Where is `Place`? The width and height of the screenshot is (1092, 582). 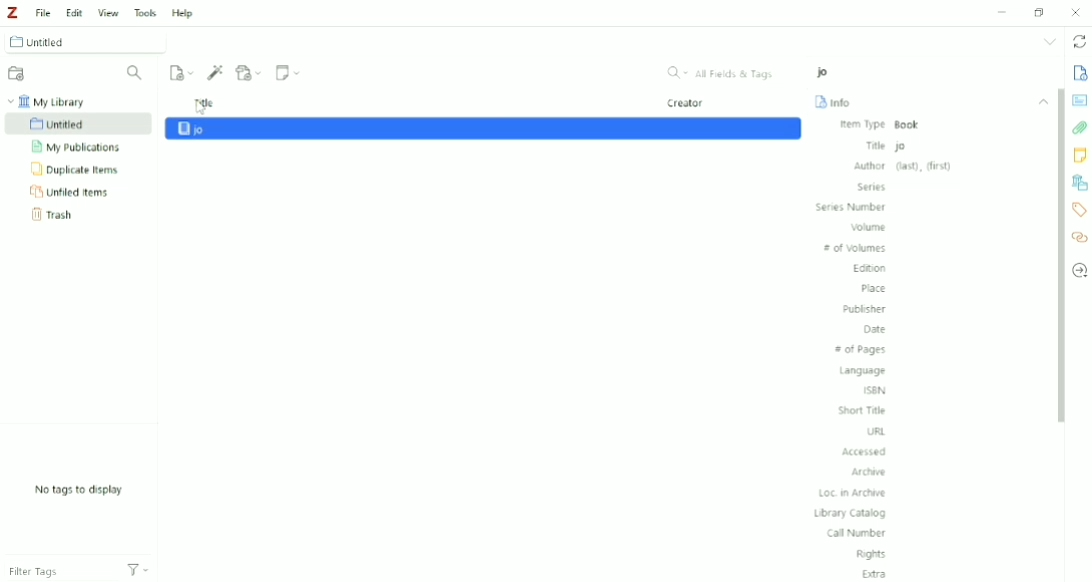 Place is located at coordinates (872, 289).